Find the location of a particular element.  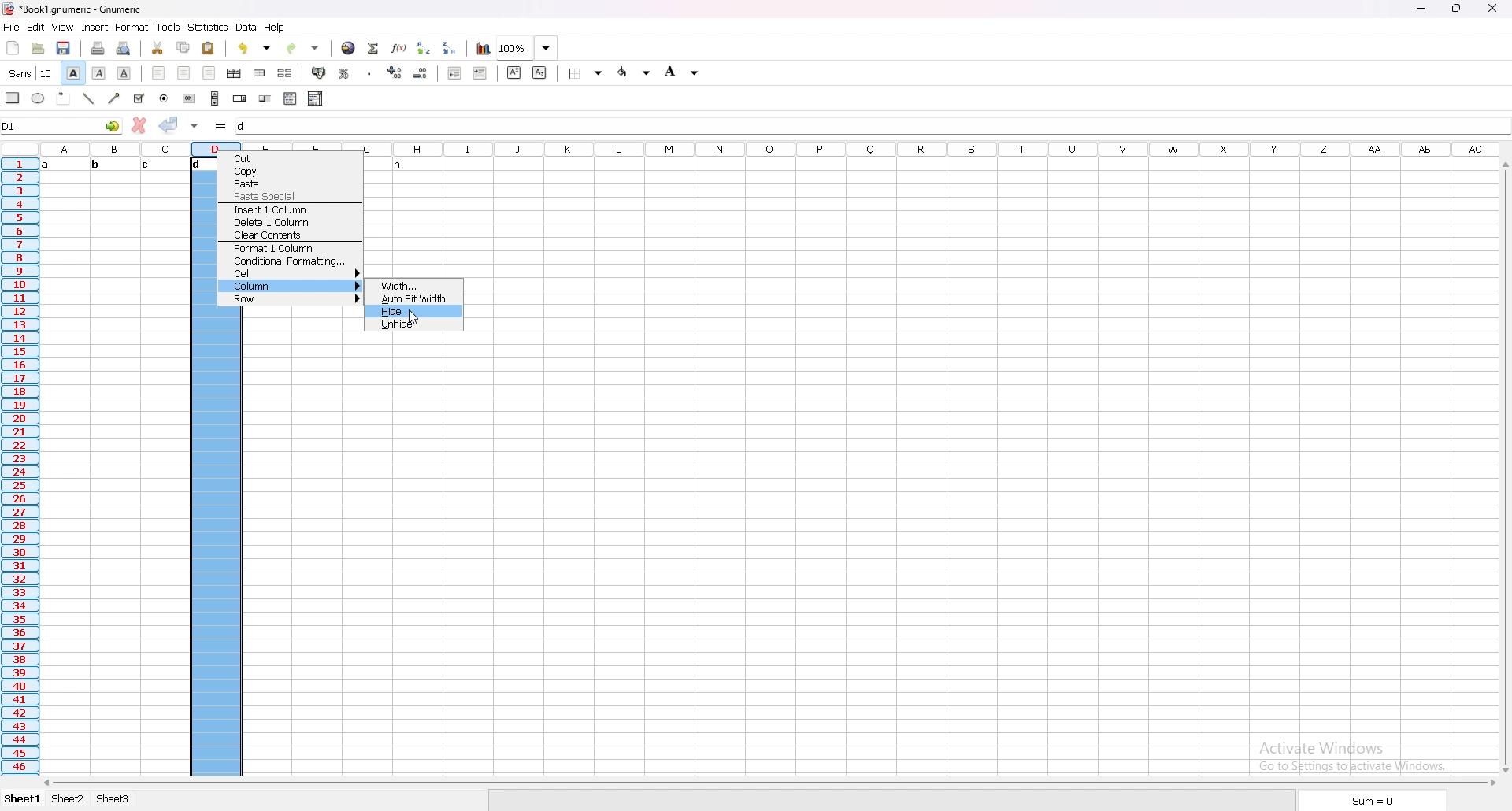

cut is located at coordinates (288, 159).